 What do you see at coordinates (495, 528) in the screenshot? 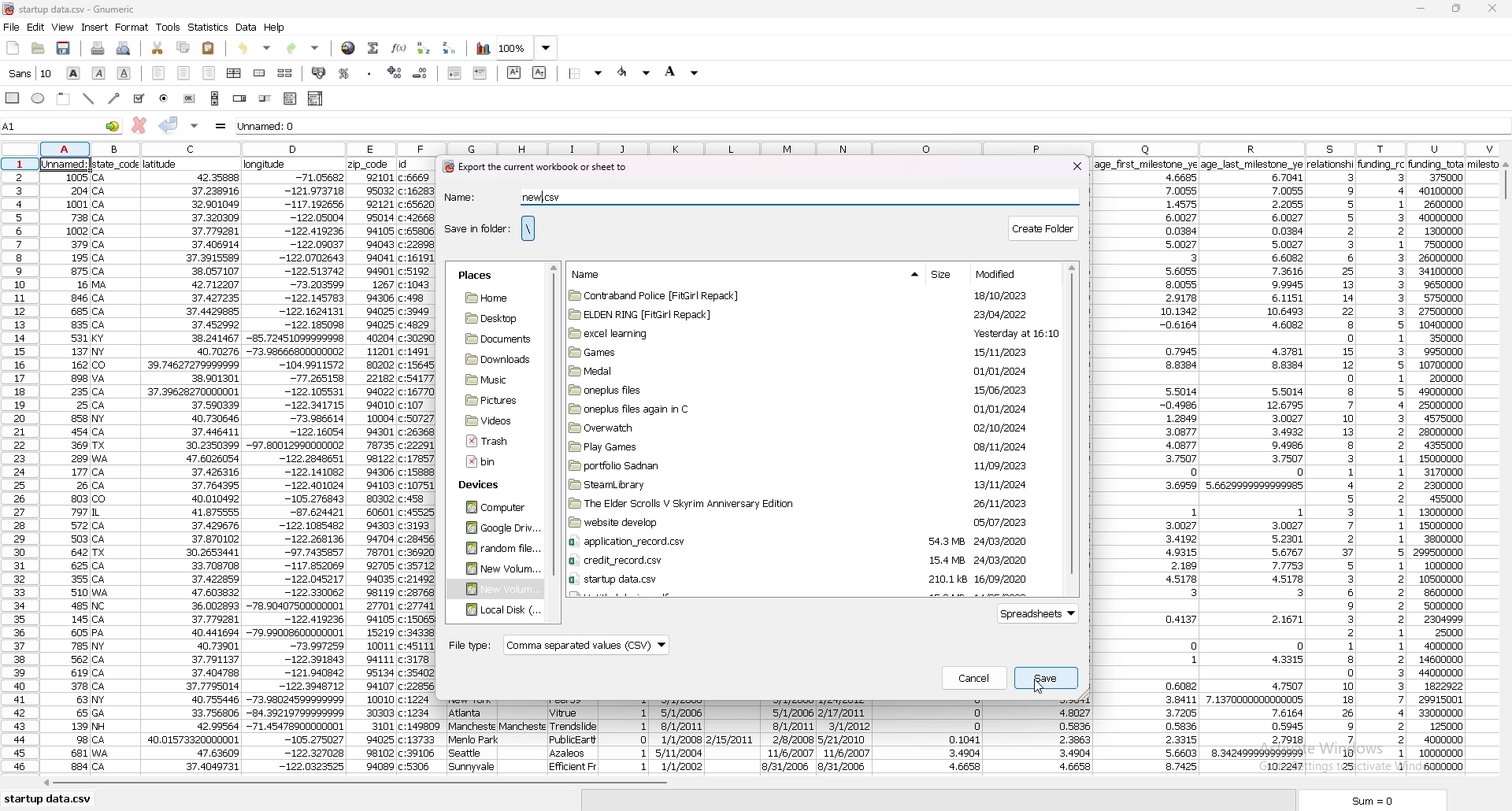
I see `folder` at bounding box center [495, 528].